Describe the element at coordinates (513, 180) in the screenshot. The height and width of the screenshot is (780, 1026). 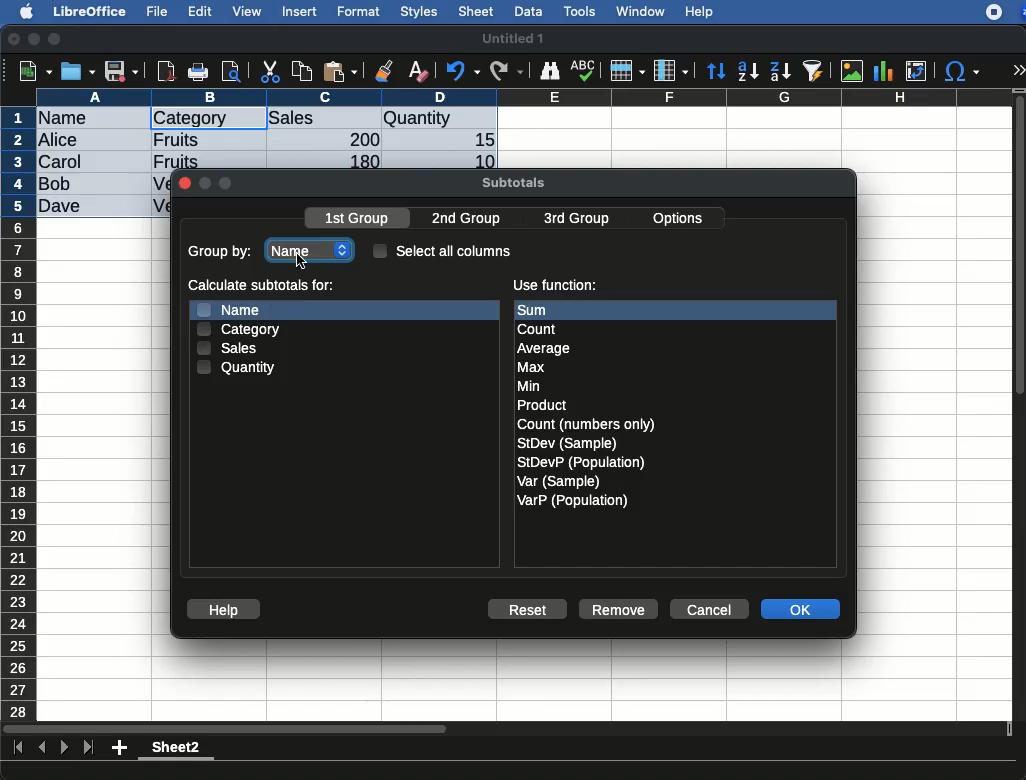
I see `subtotals` at that location.